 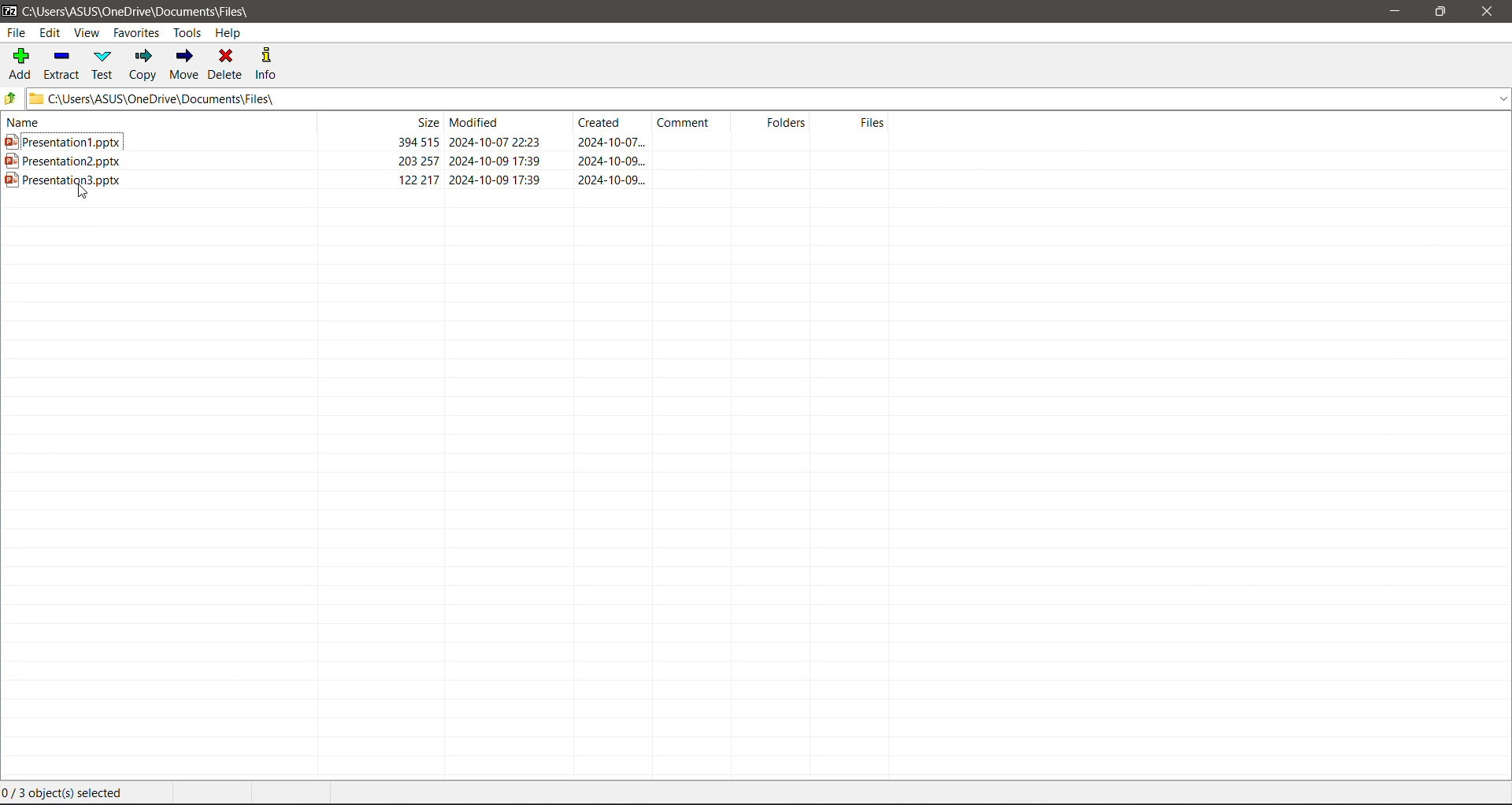 What do you see at coordinates (13, 98) in the screenshot?
I see `Move Up one level` at bounding box center [13, 98].